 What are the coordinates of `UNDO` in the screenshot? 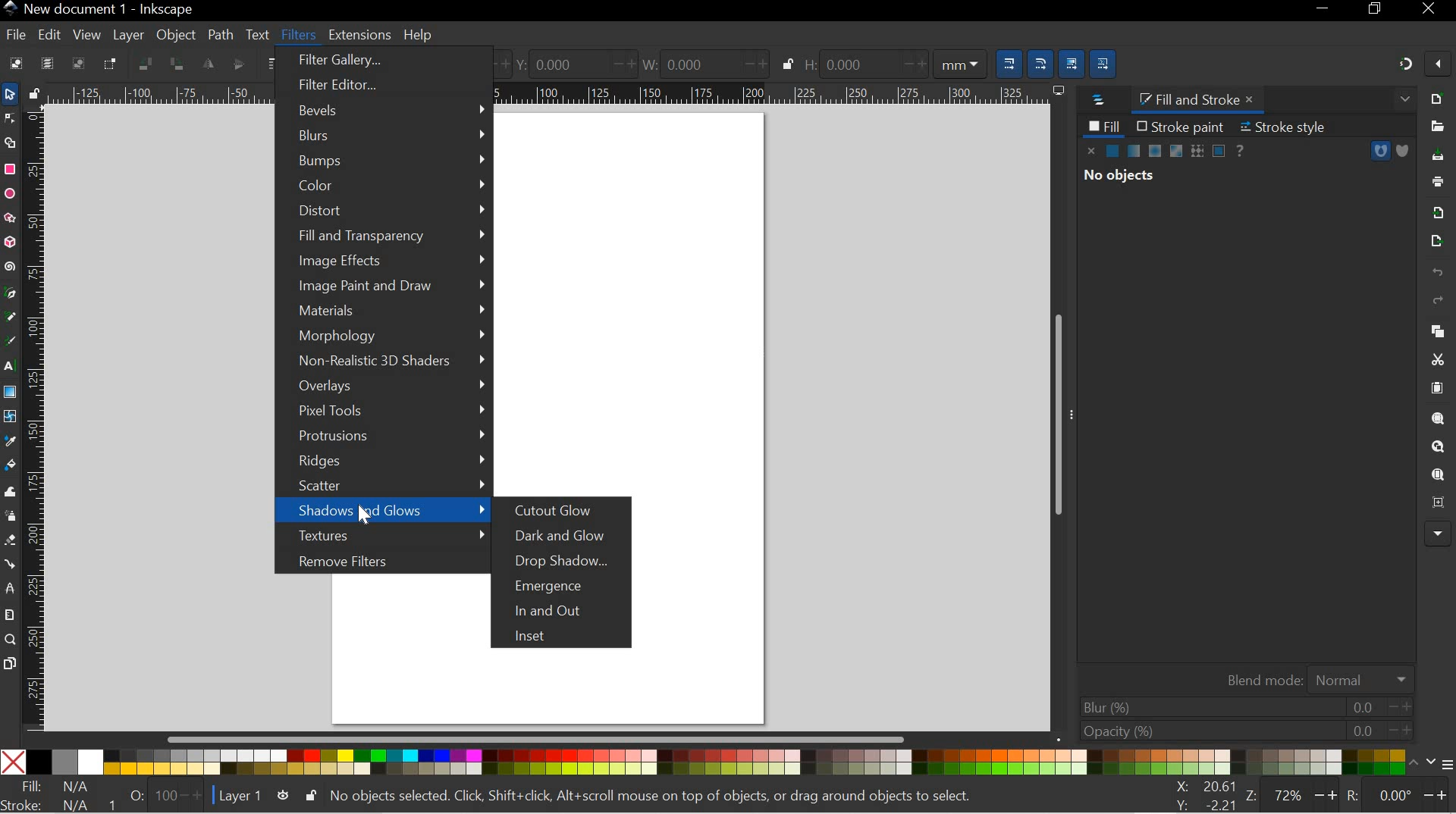 It's located at (1436, 274).